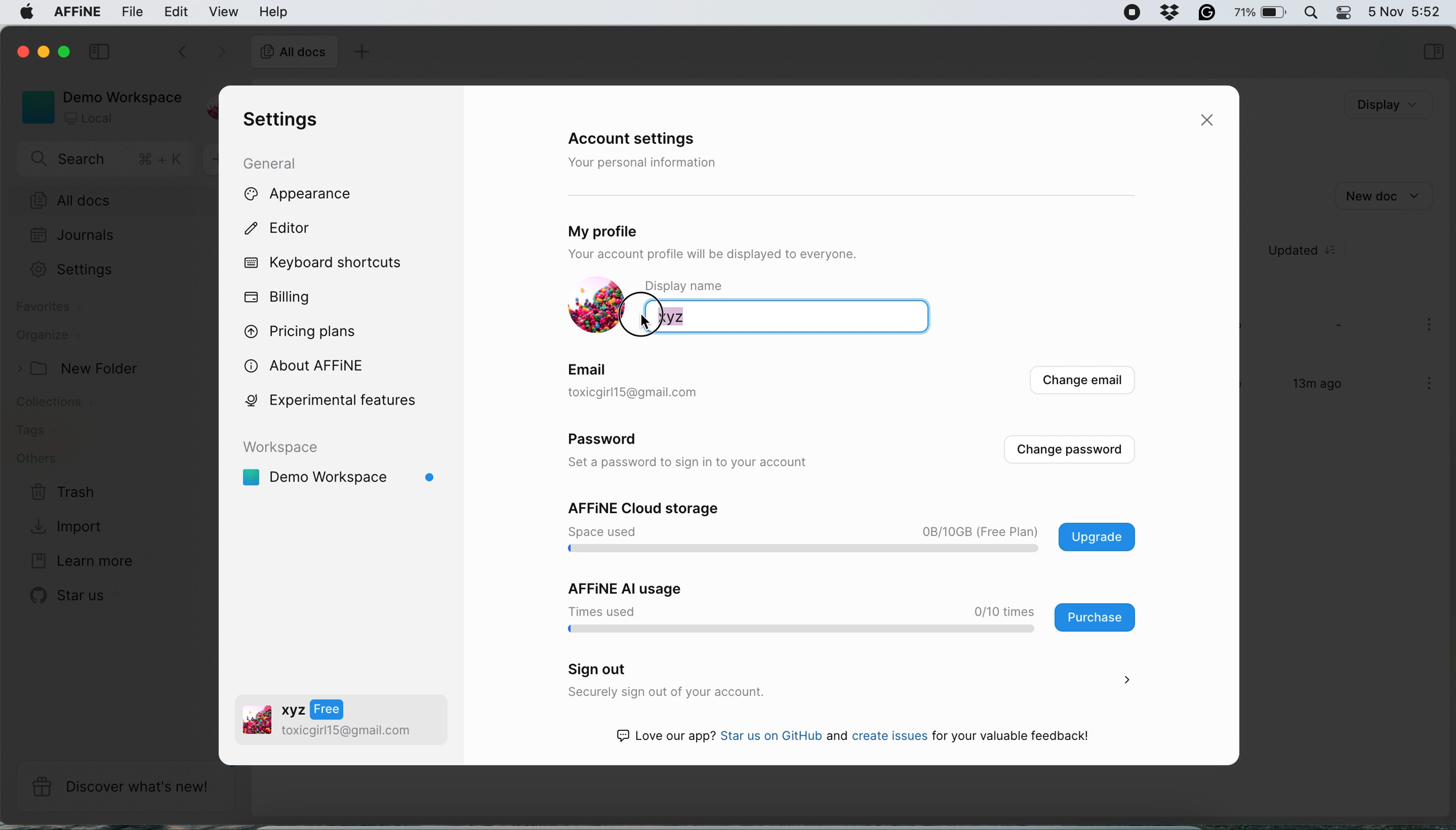 This screenshot has height=830, width=1456. What do you see at coordinates (85, 269) in the screenshot?
I see `Settings` at bounding box center [85, 269].